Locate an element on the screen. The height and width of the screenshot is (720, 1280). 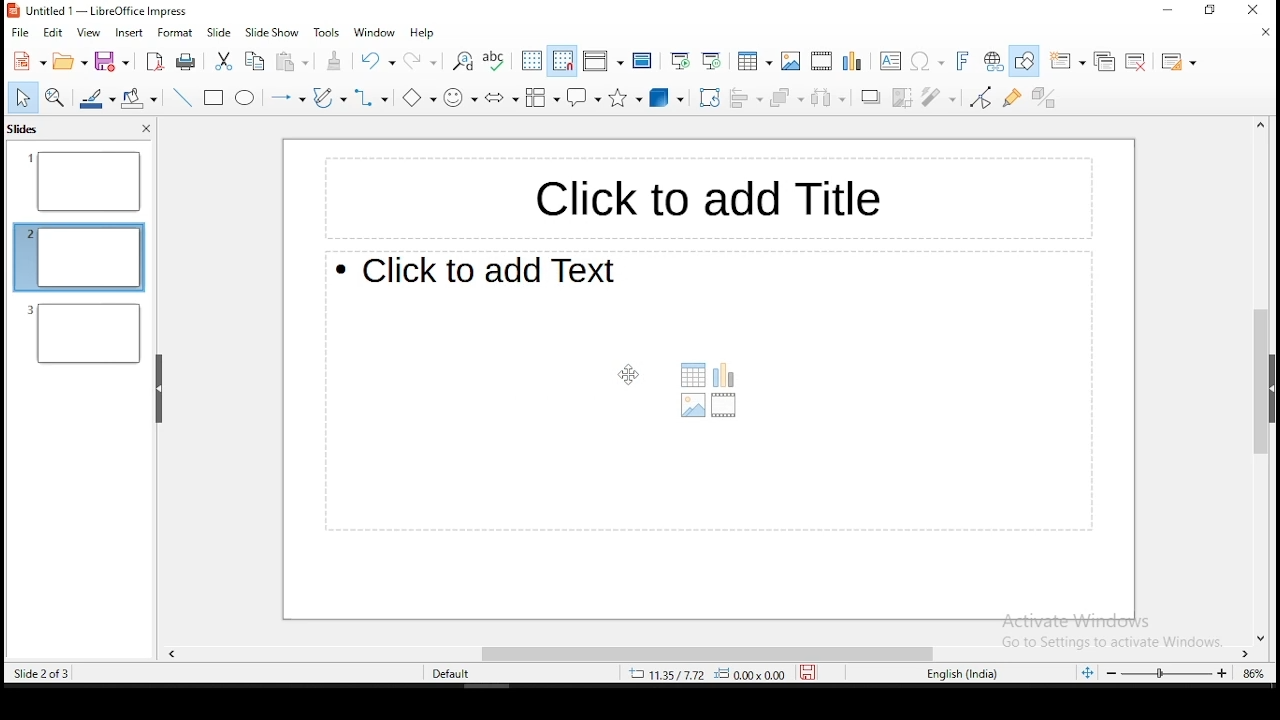
zoom slider is located at coordinates (1167, 673).